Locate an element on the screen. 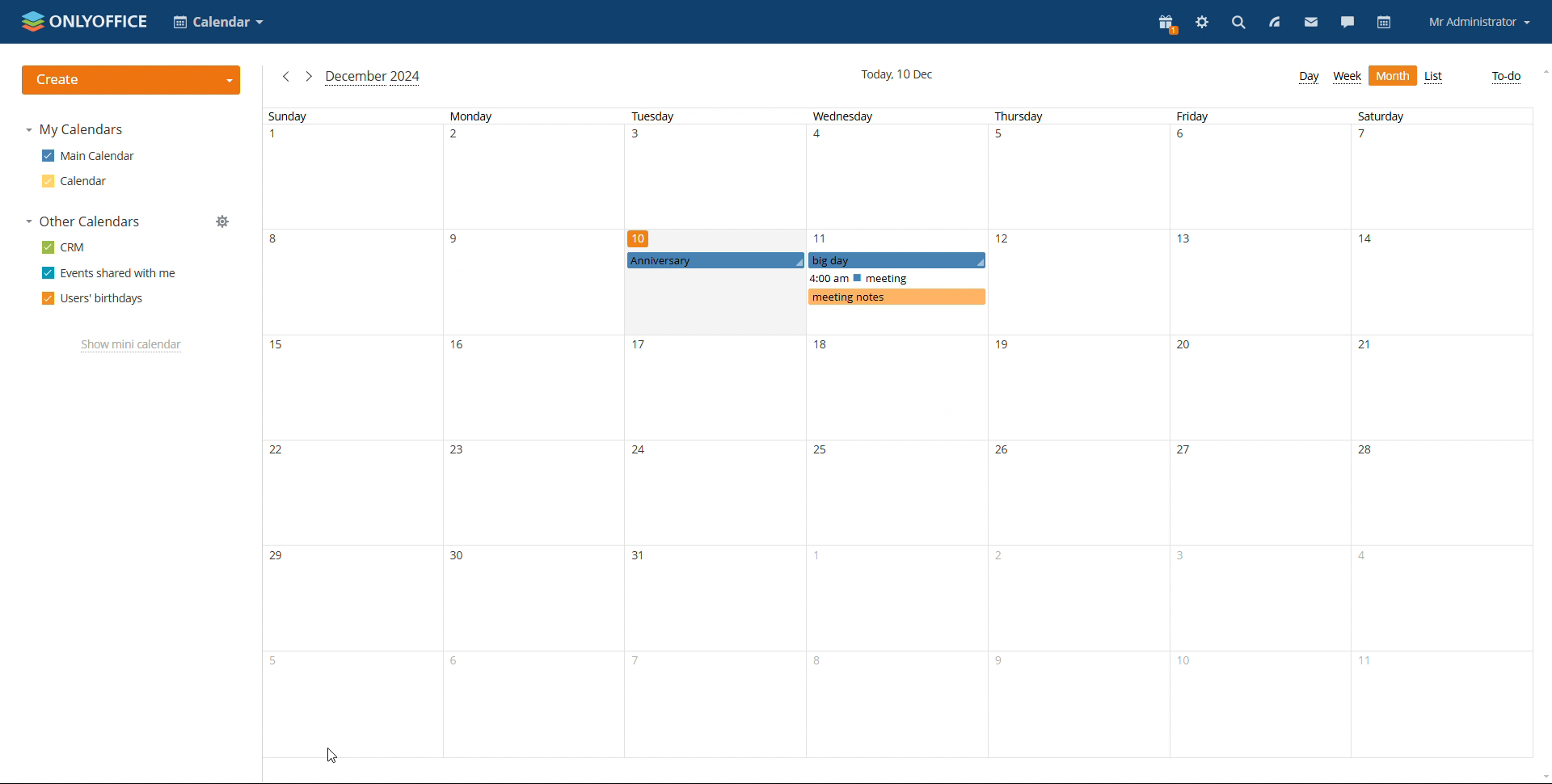  thursday is located at coordinates (1079, 432).